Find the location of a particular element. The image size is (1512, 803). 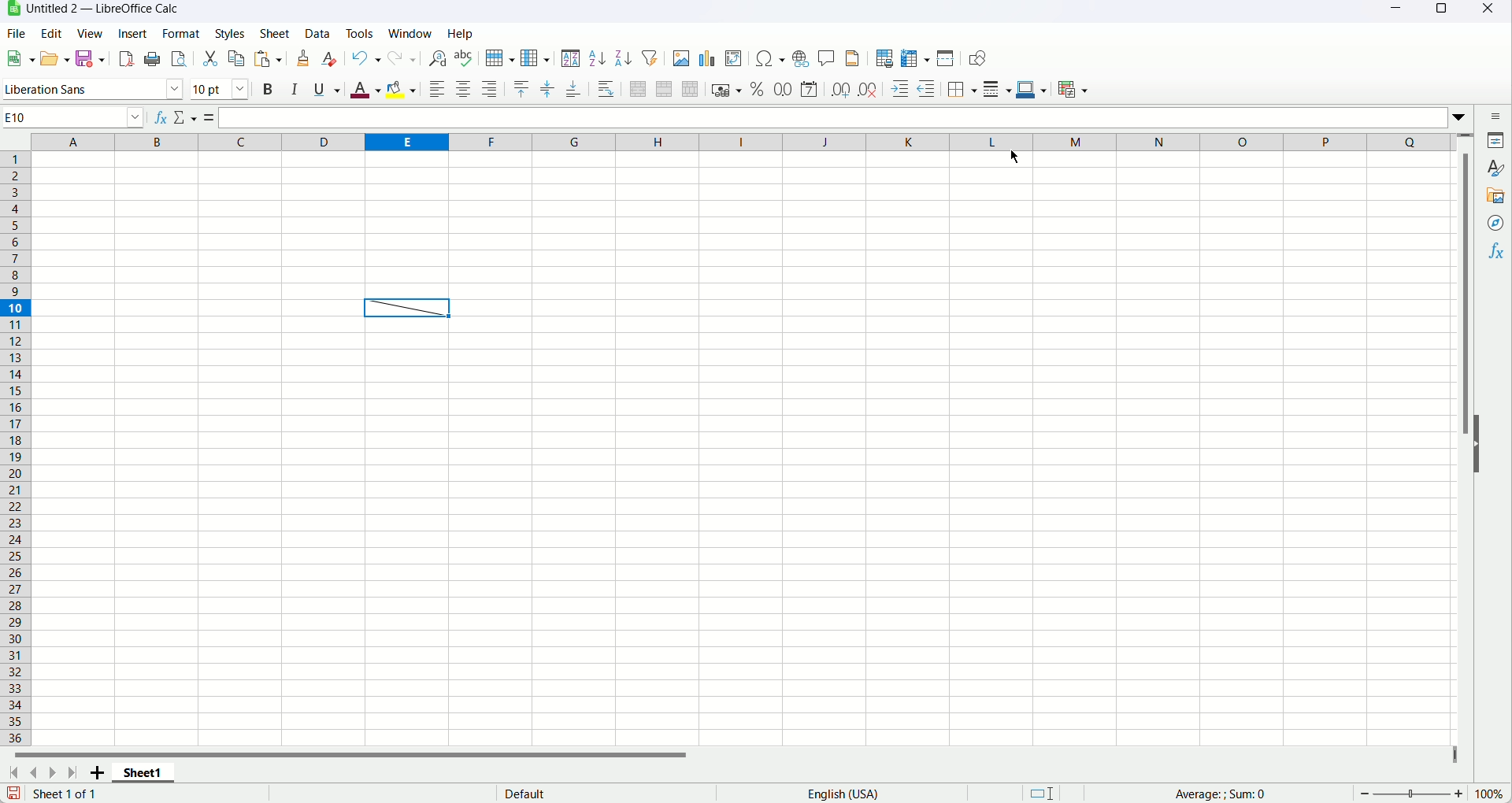

Font size is located at coordinates (223, 89).